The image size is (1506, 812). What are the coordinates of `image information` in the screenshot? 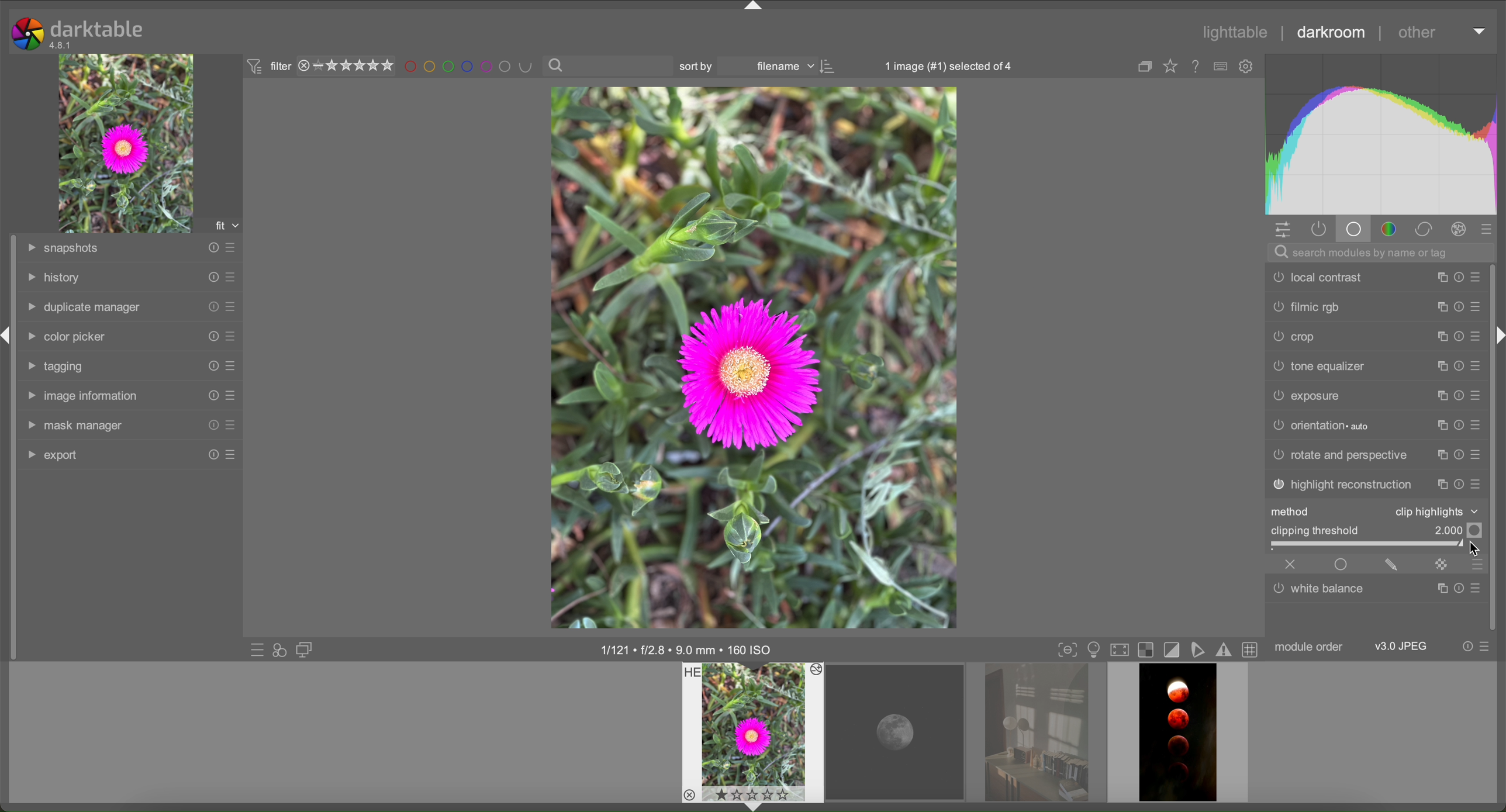 It's located at (688, 649).